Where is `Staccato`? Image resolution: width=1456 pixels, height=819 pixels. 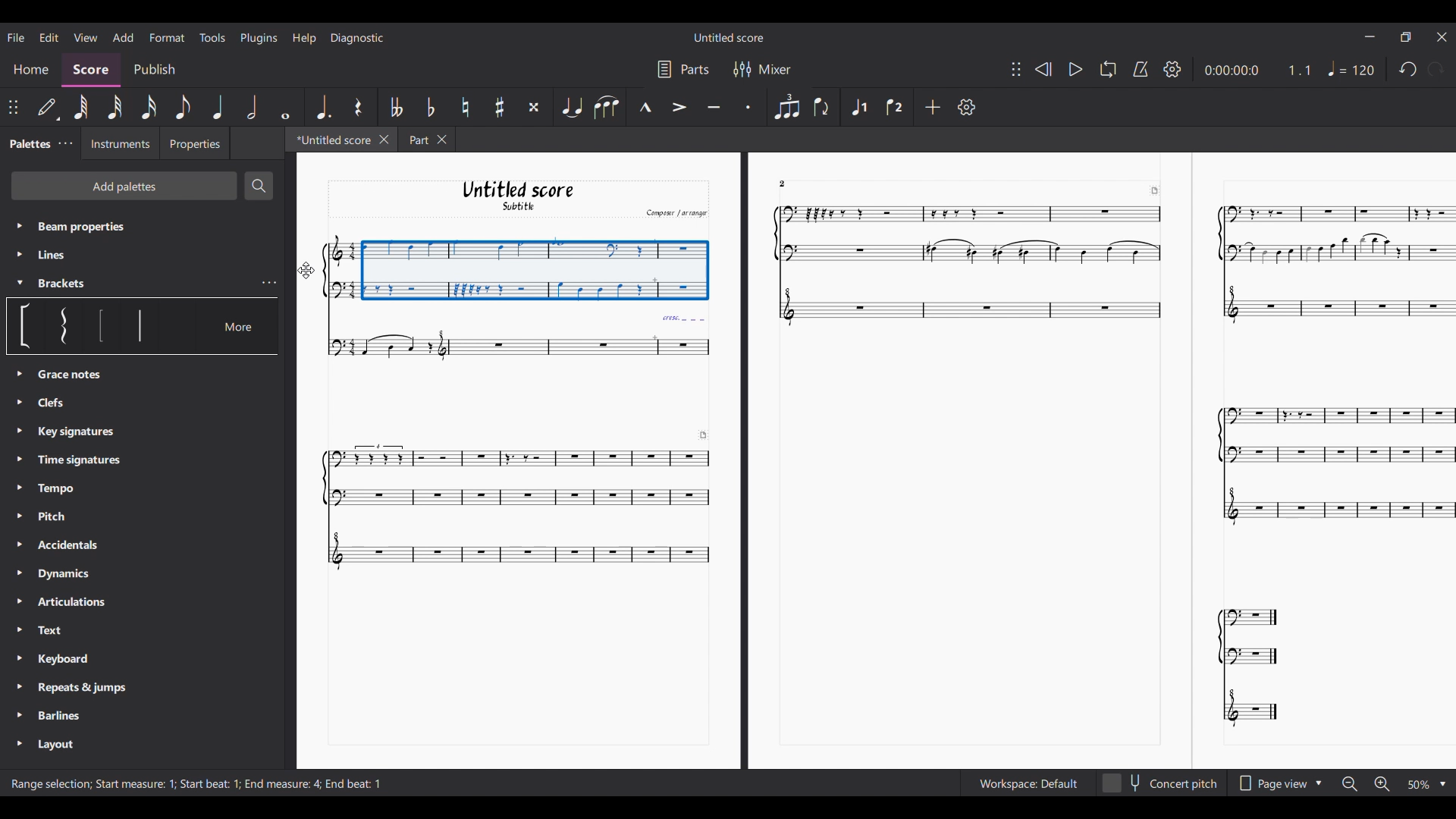 Staccato is located at coordinates (747, 106).